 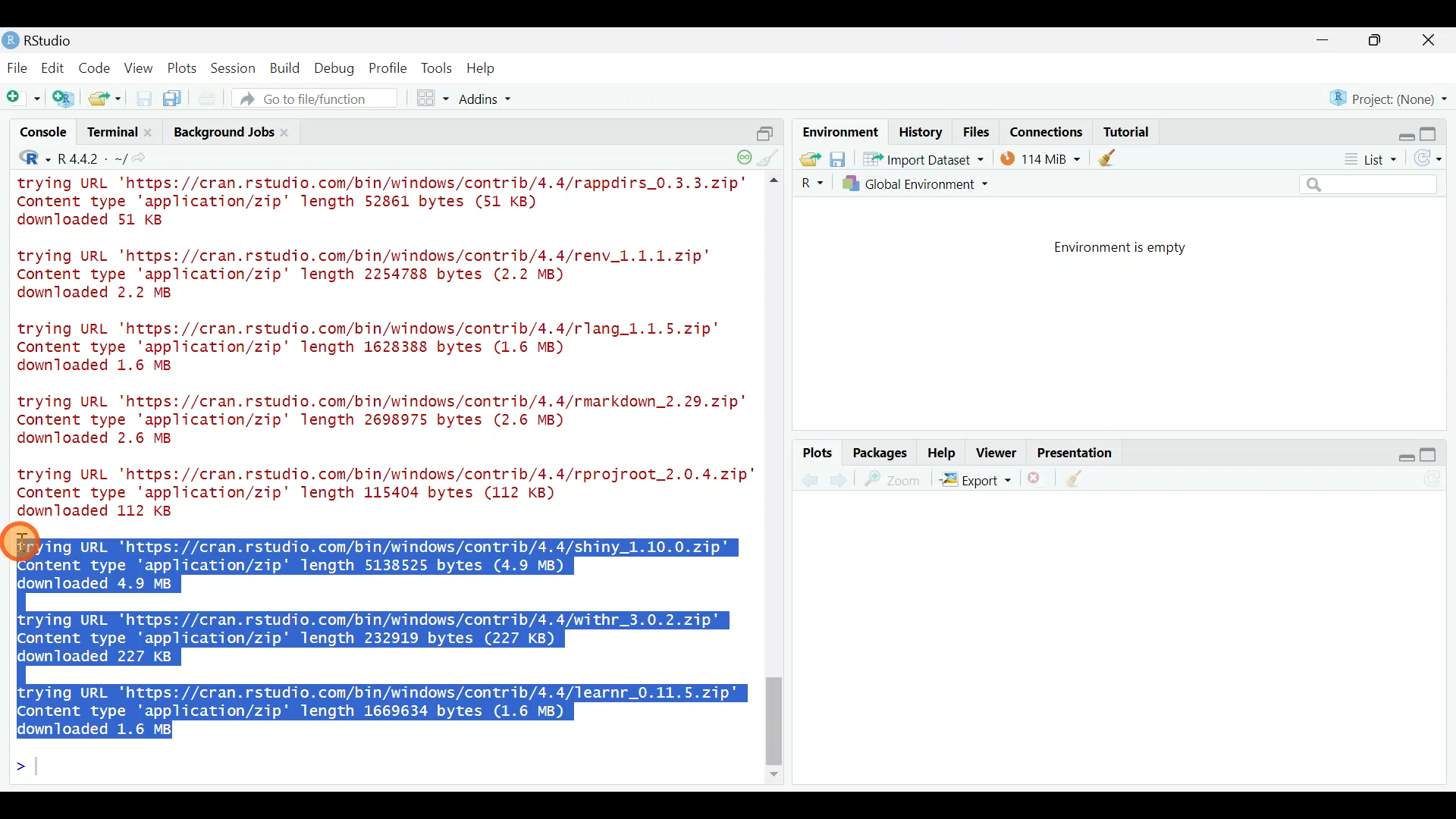 What do you see at coordinates (977, 132) in the screenshot?
I see `Files` at bounding box center [977, 132].